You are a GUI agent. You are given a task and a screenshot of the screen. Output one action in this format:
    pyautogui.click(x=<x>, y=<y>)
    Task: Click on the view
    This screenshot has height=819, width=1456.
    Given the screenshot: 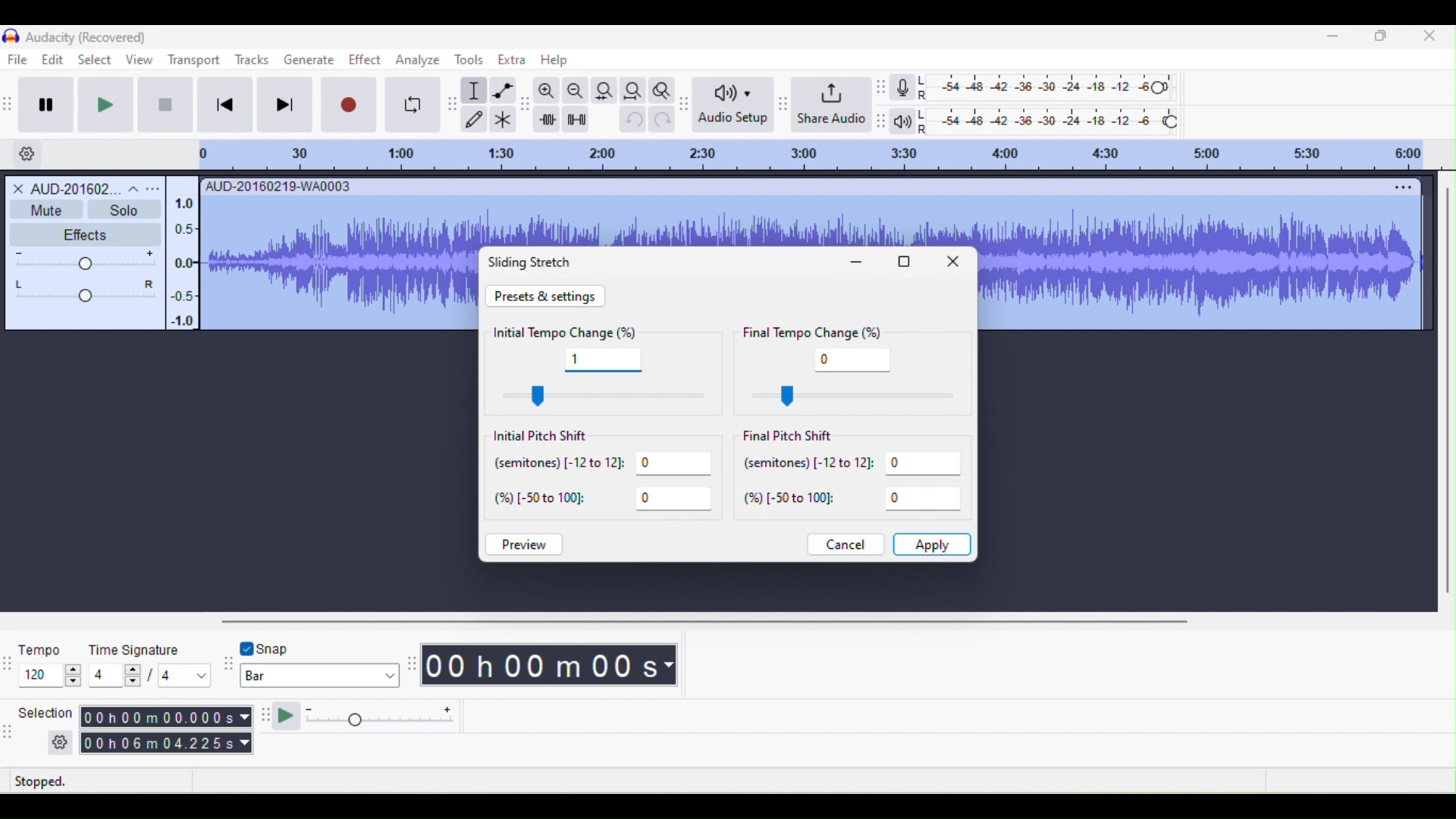 What is the action you would take?
    pyautogui.click(x=138, y=60)
    